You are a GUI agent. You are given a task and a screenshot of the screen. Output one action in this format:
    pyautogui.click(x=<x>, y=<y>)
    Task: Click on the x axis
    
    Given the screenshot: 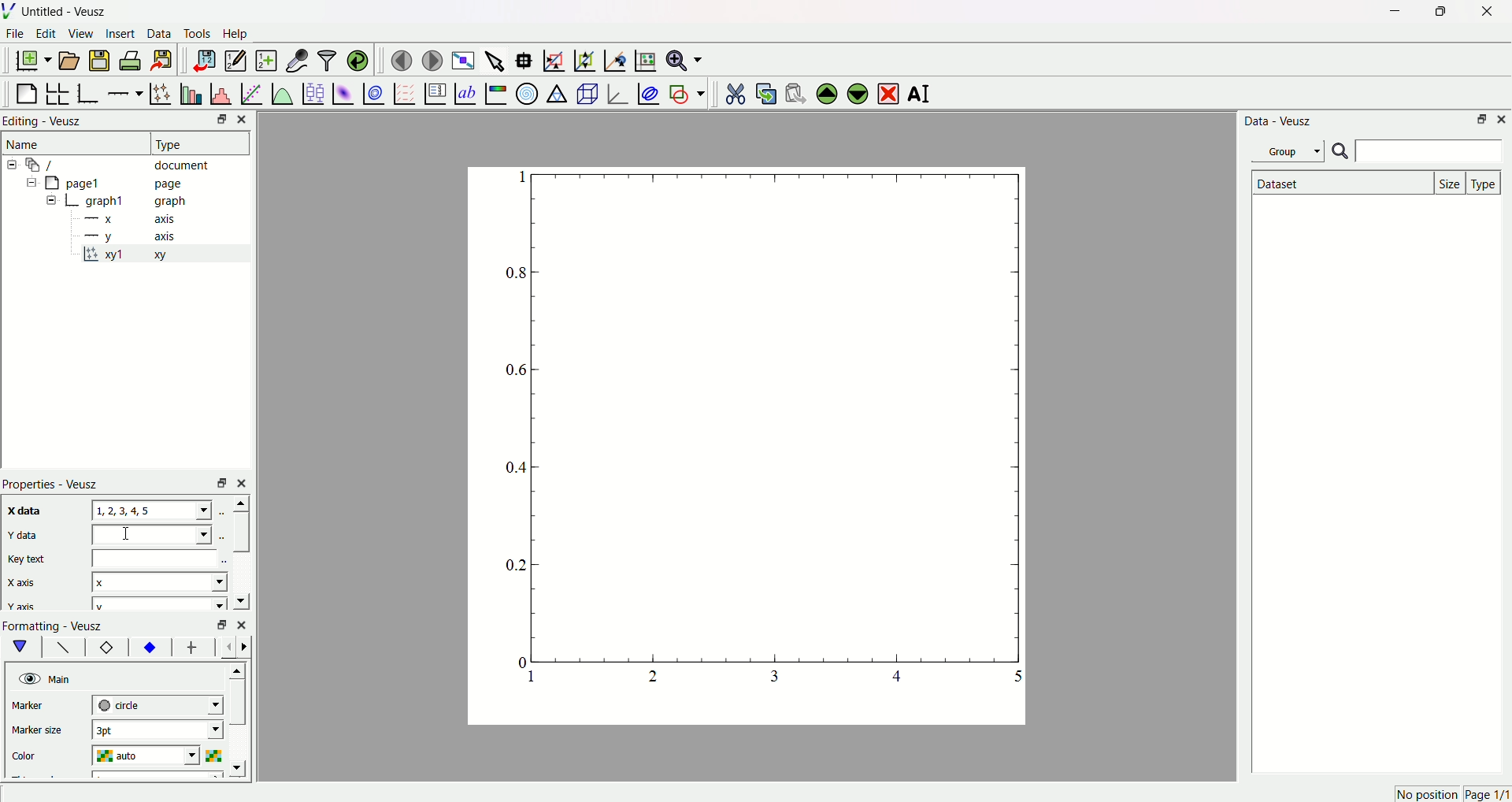 What is the action you would take?
    pyautogui.click(x=133, y=220)
    